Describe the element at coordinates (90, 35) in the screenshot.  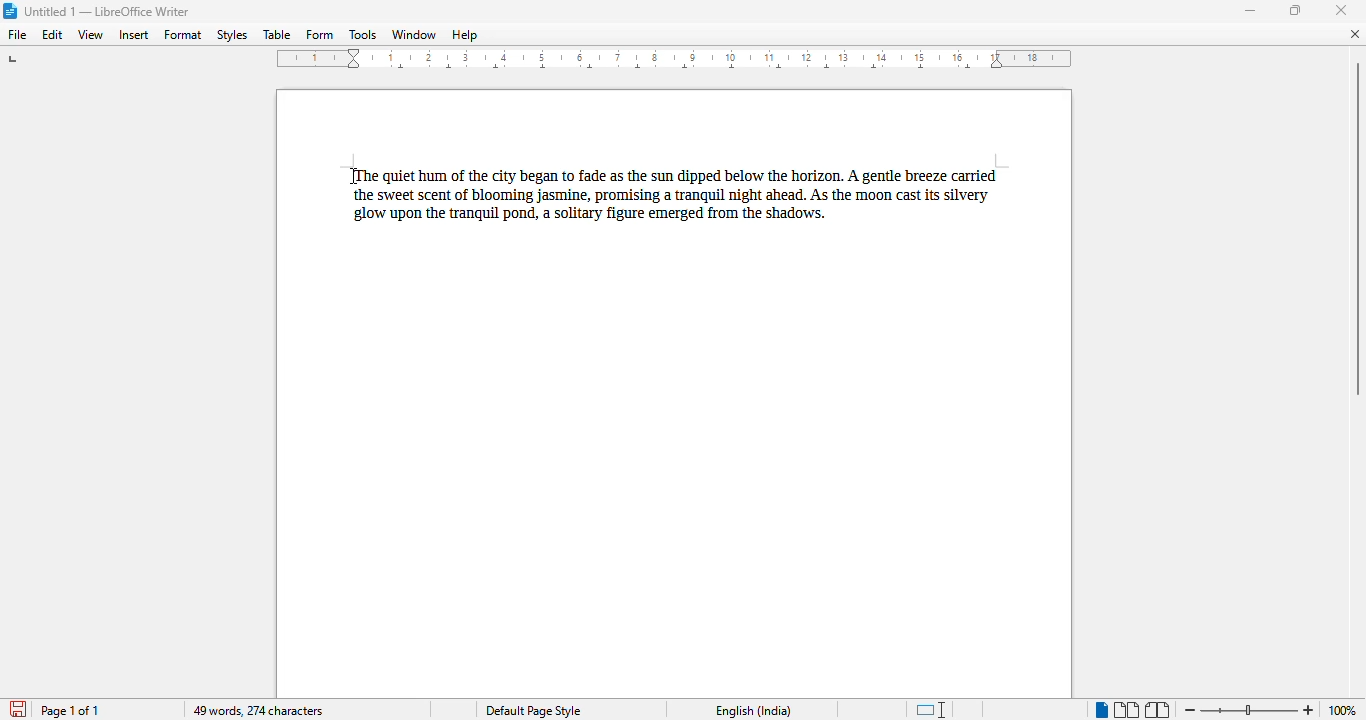
I see `view` at that location.